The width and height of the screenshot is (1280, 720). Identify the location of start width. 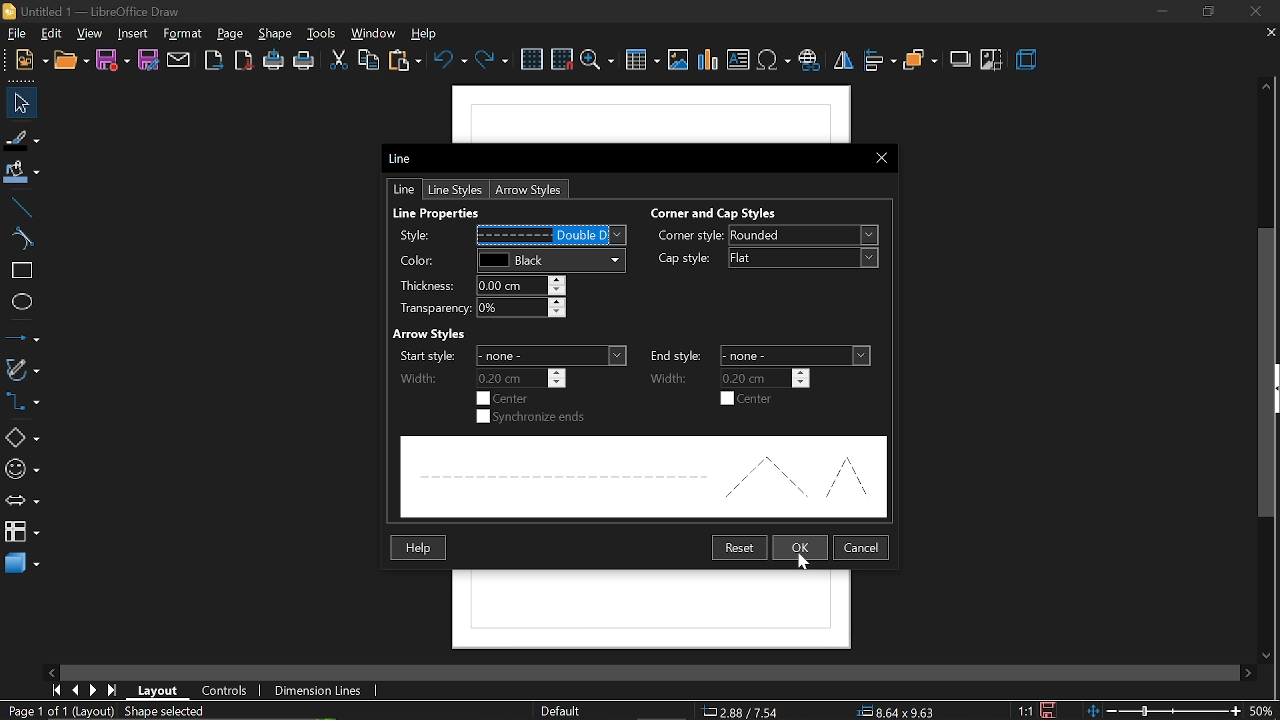
(512, 354).